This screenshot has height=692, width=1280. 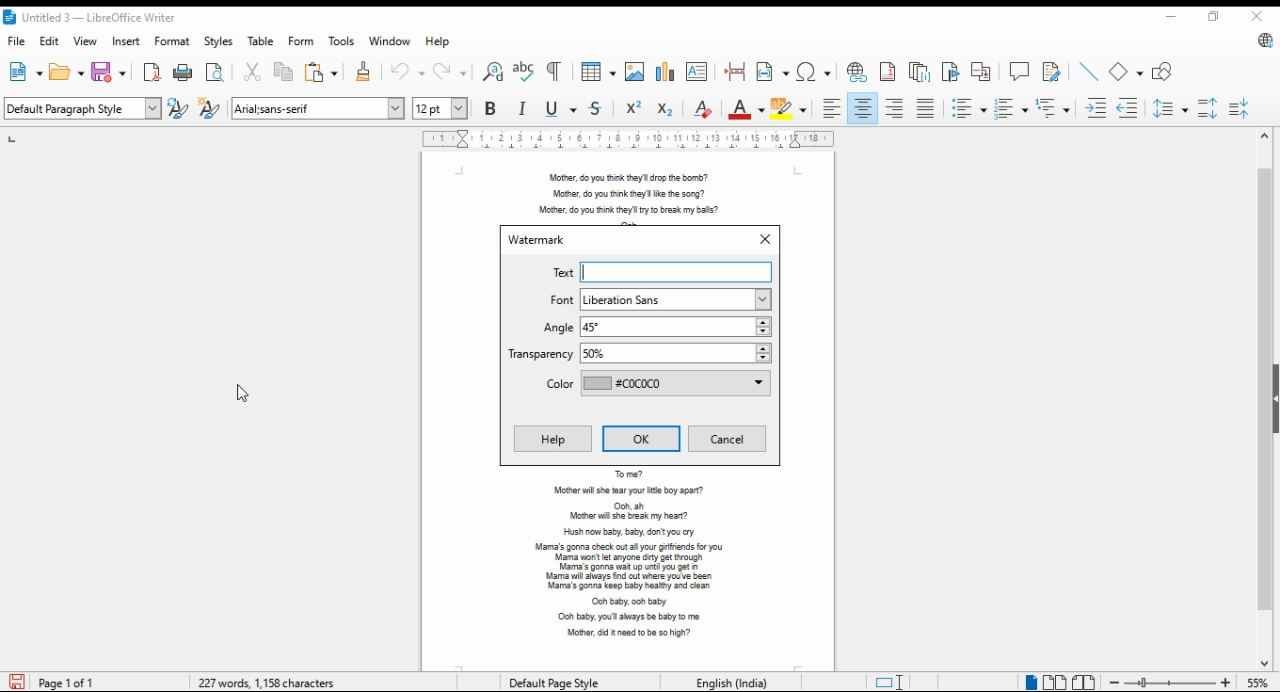 What do you see at coordinates (17, 43) in the screenshot?
I see `file` at bounding box center [17, 43].